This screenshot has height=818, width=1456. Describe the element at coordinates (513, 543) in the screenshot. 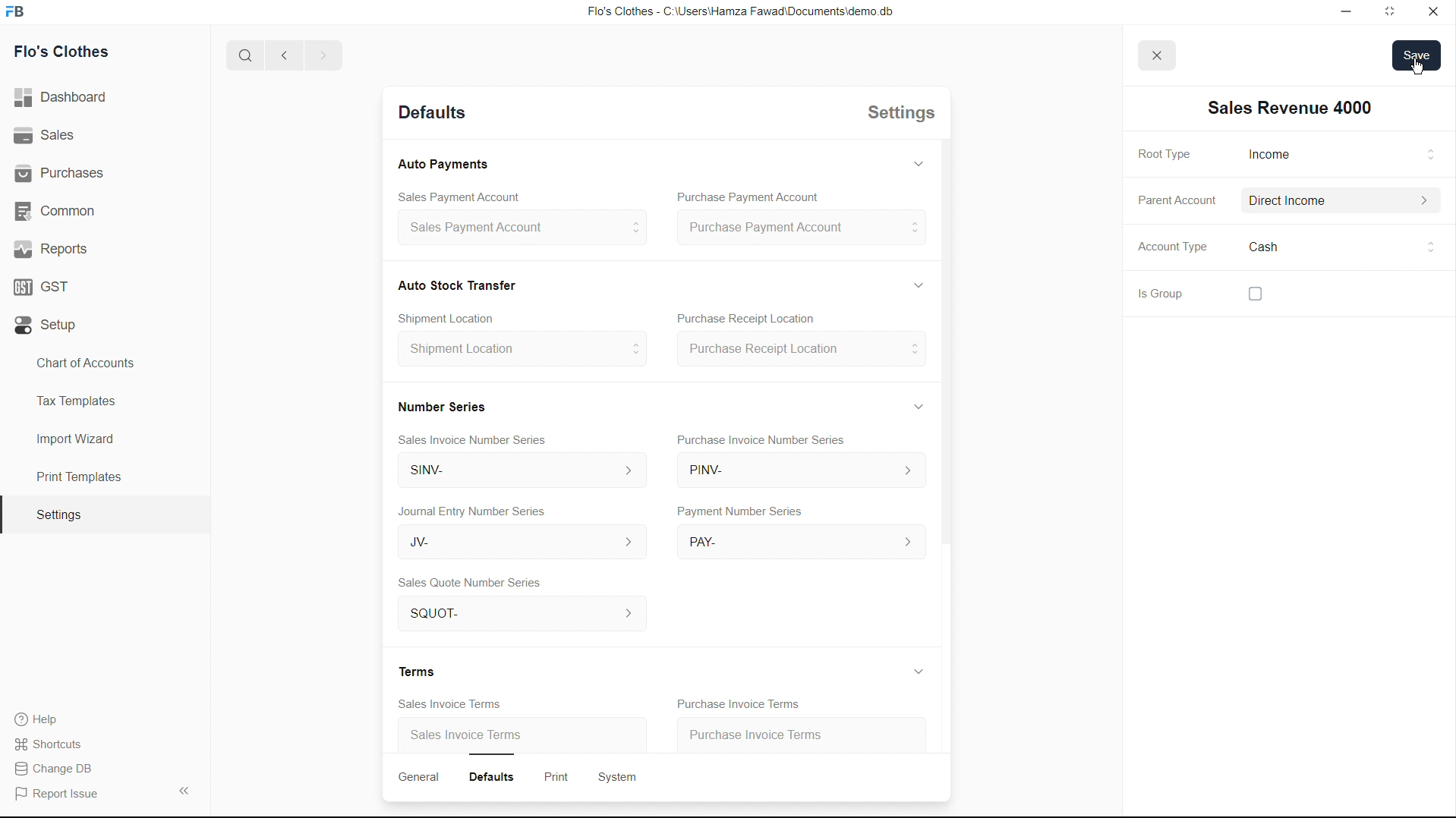

I see `JV-` at that location.